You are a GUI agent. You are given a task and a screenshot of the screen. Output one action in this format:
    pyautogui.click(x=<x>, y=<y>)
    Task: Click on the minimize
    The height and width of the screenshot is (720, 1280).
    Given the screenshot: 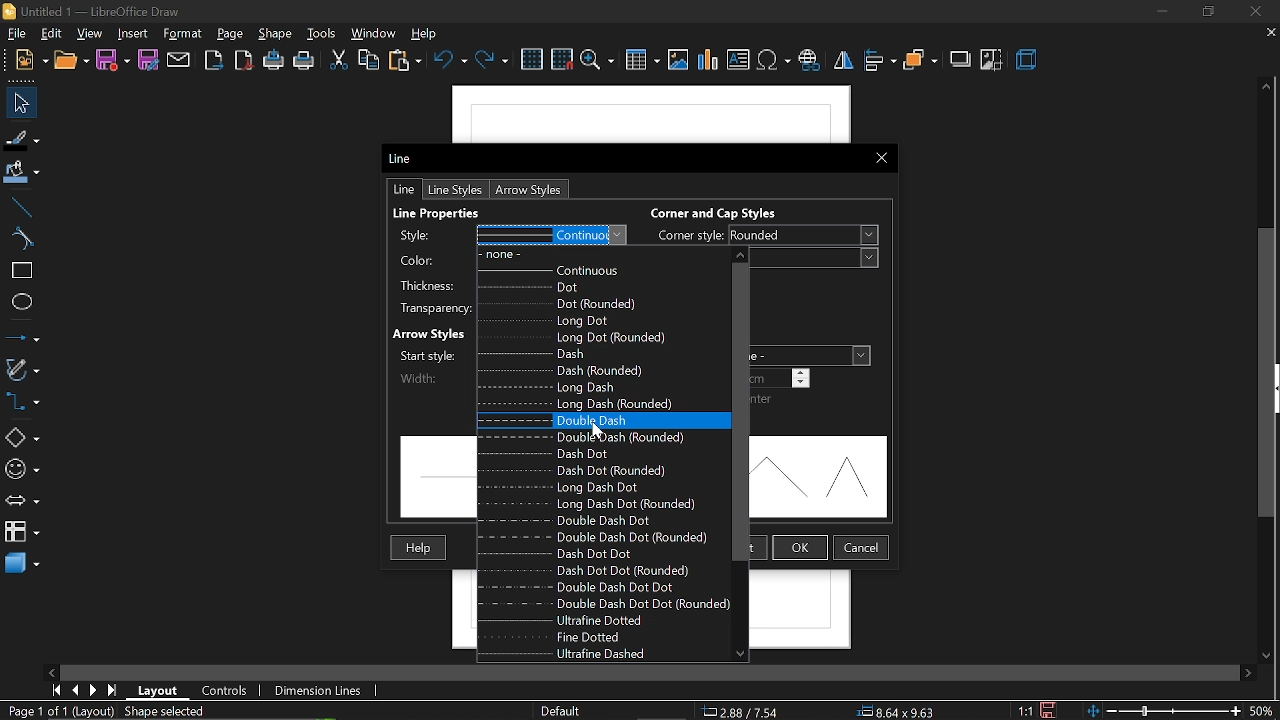 What is the action you would take?
    pyautogui.click(x=1162, y=12)
    